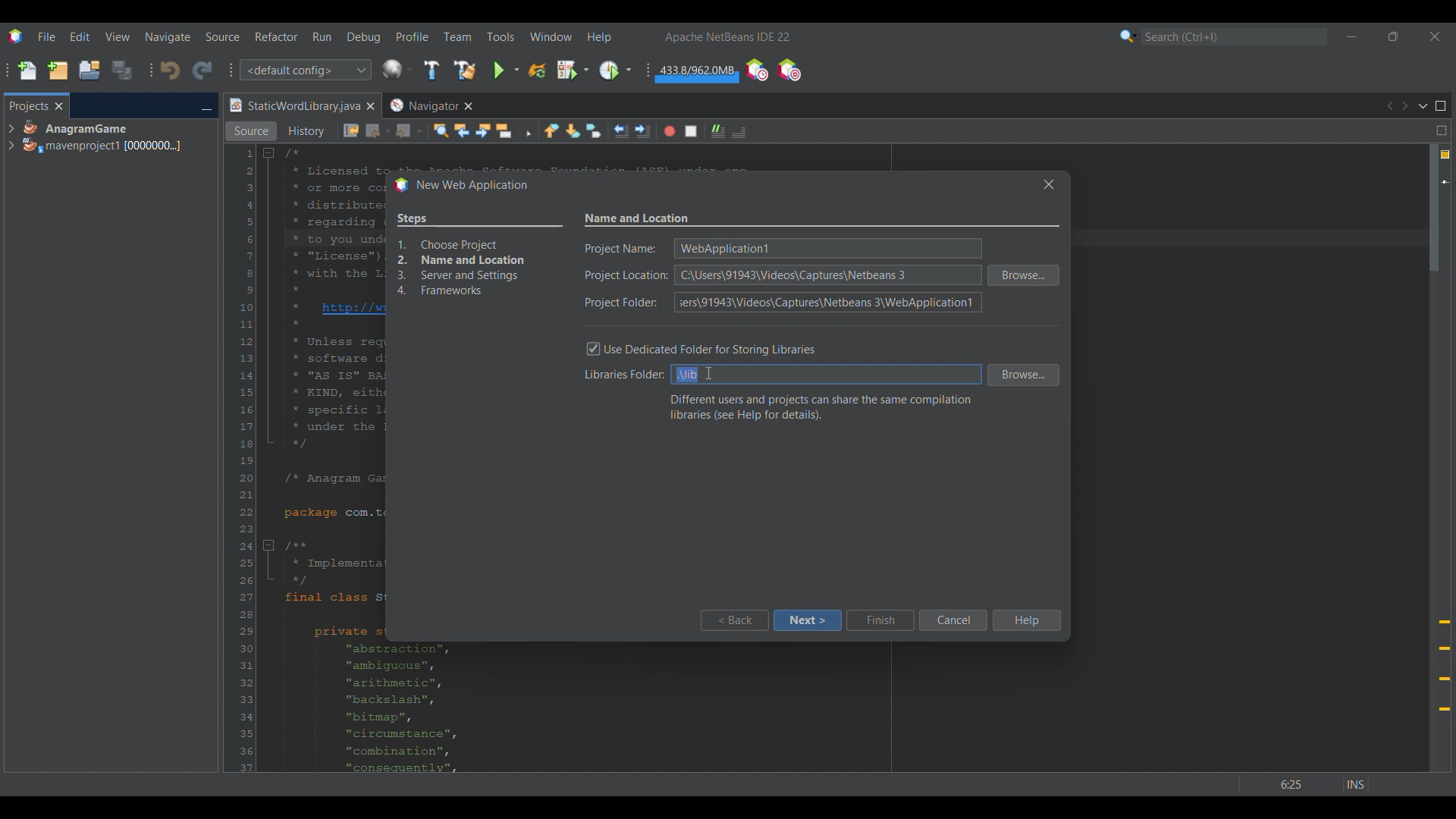 The width and height of the screenshot is (1456, 819). What do you see at coordinates (202, 70) in the screenshot?
I see `Redo` at bounding box center [202, 70].